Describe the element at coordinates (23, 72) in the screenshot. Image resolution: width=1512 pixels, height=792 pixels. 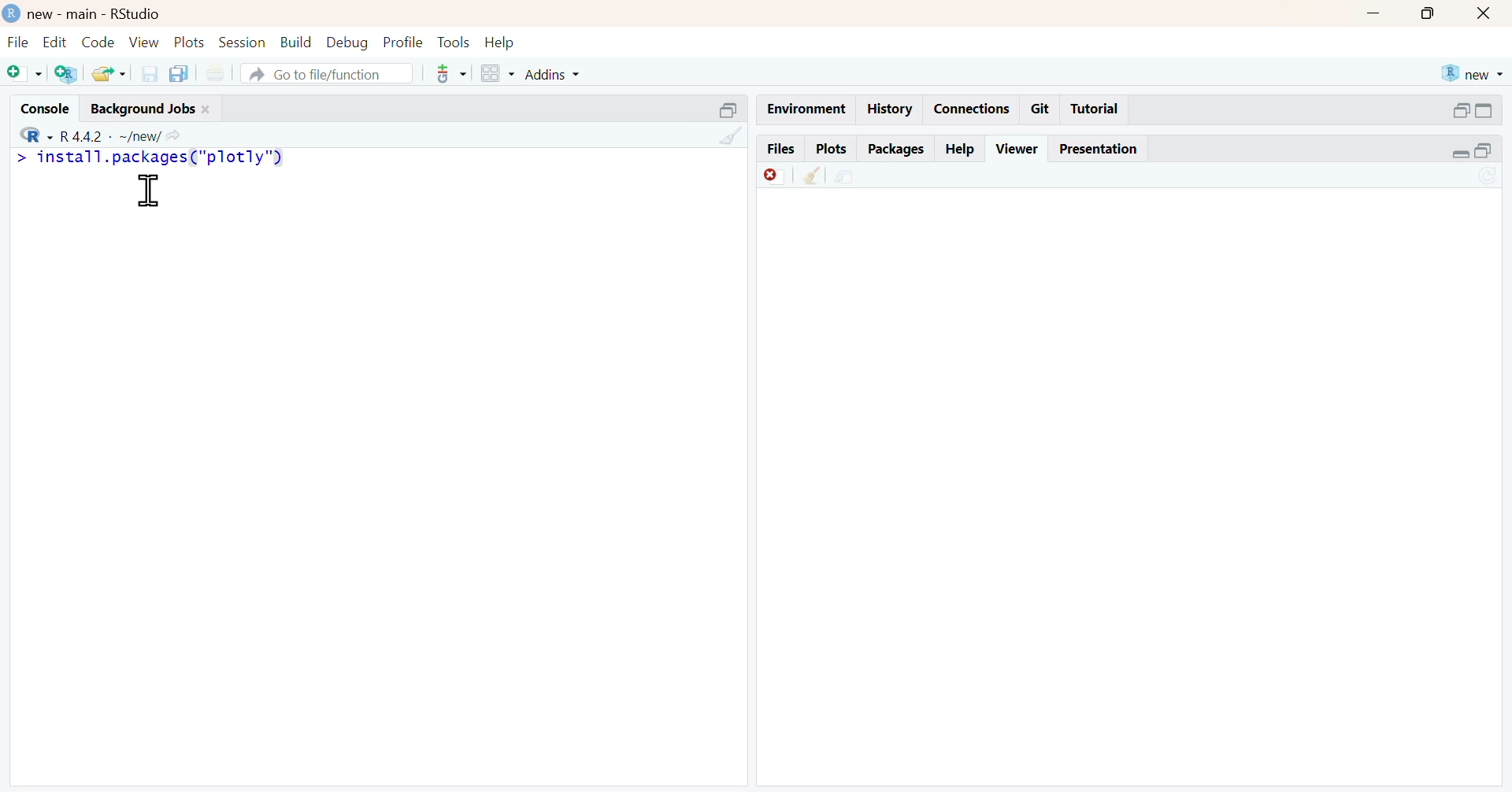
I see `new file` at that location.